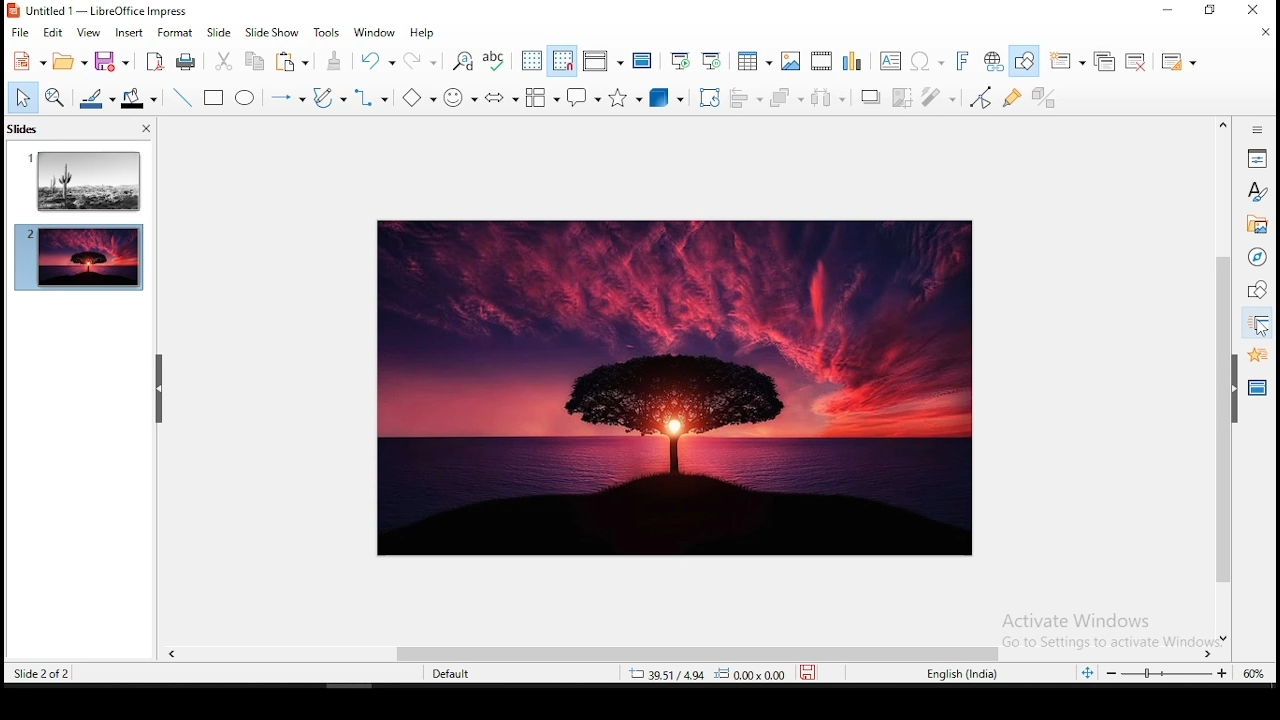 Image resolution: width=1280 pixels, height=720 pixels. I want to click on copy, so click(253, 61).